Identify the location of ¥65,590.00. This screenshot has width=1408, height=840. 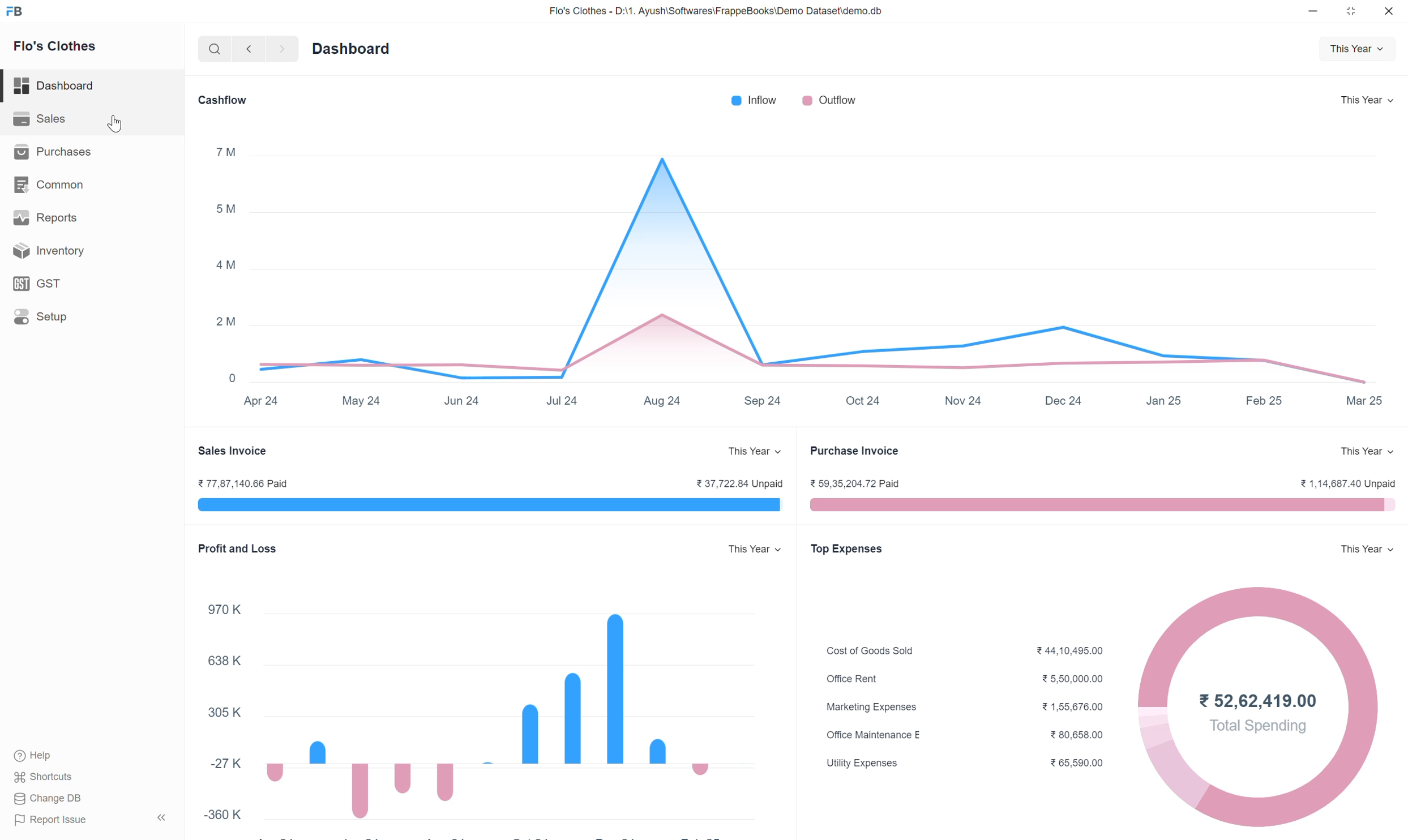
(1079, 763).